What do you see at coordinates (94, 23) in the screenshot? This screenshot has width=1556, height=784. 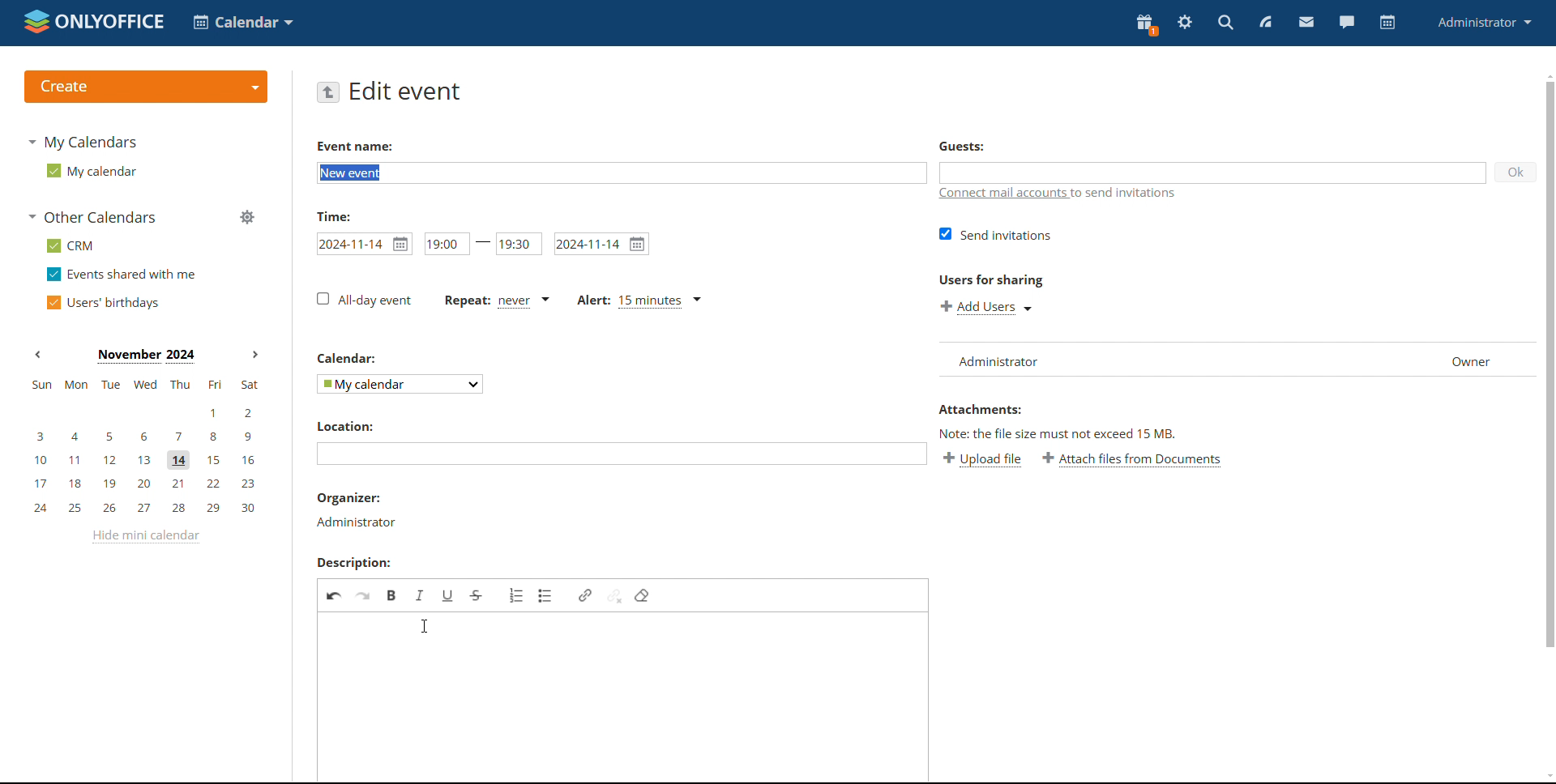 I see `logo` at bounding box center [94, 23].